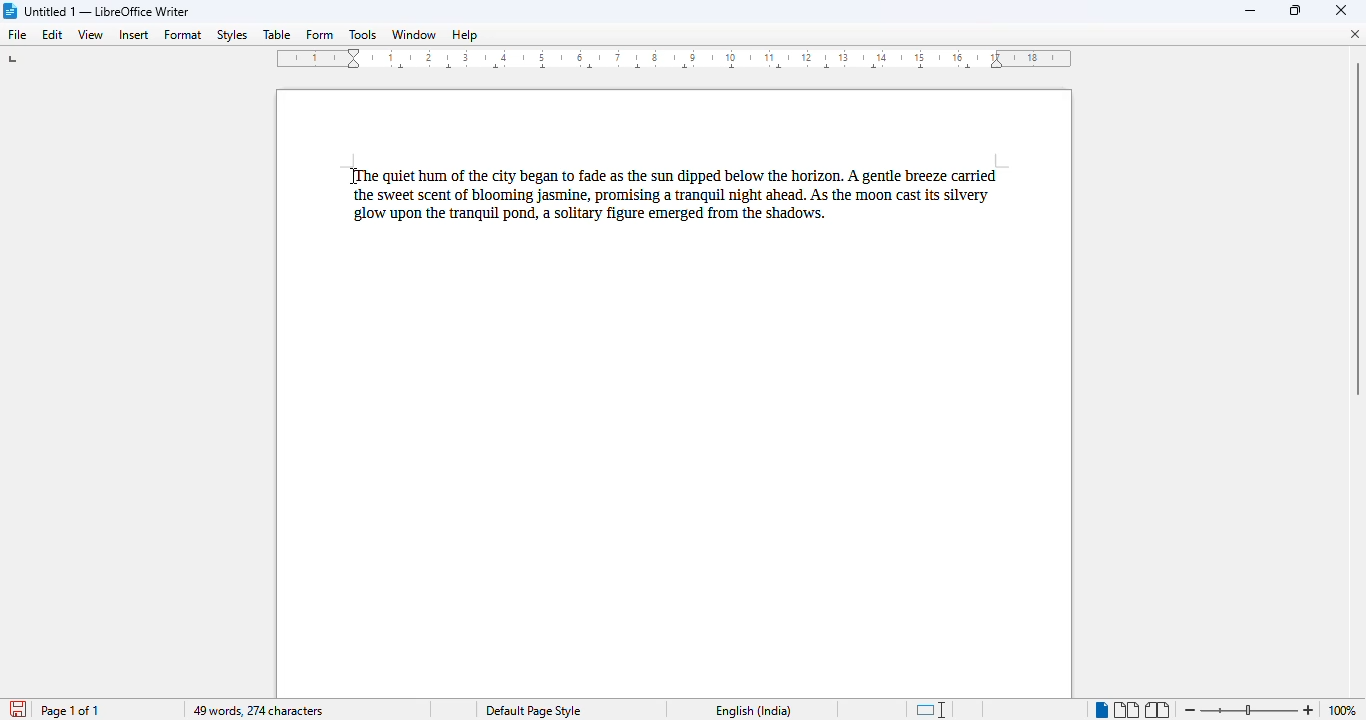 The image size is (1366, 720). Describe the element at coordinates (10, 11) in the screenshot. I see `logo` at that location.